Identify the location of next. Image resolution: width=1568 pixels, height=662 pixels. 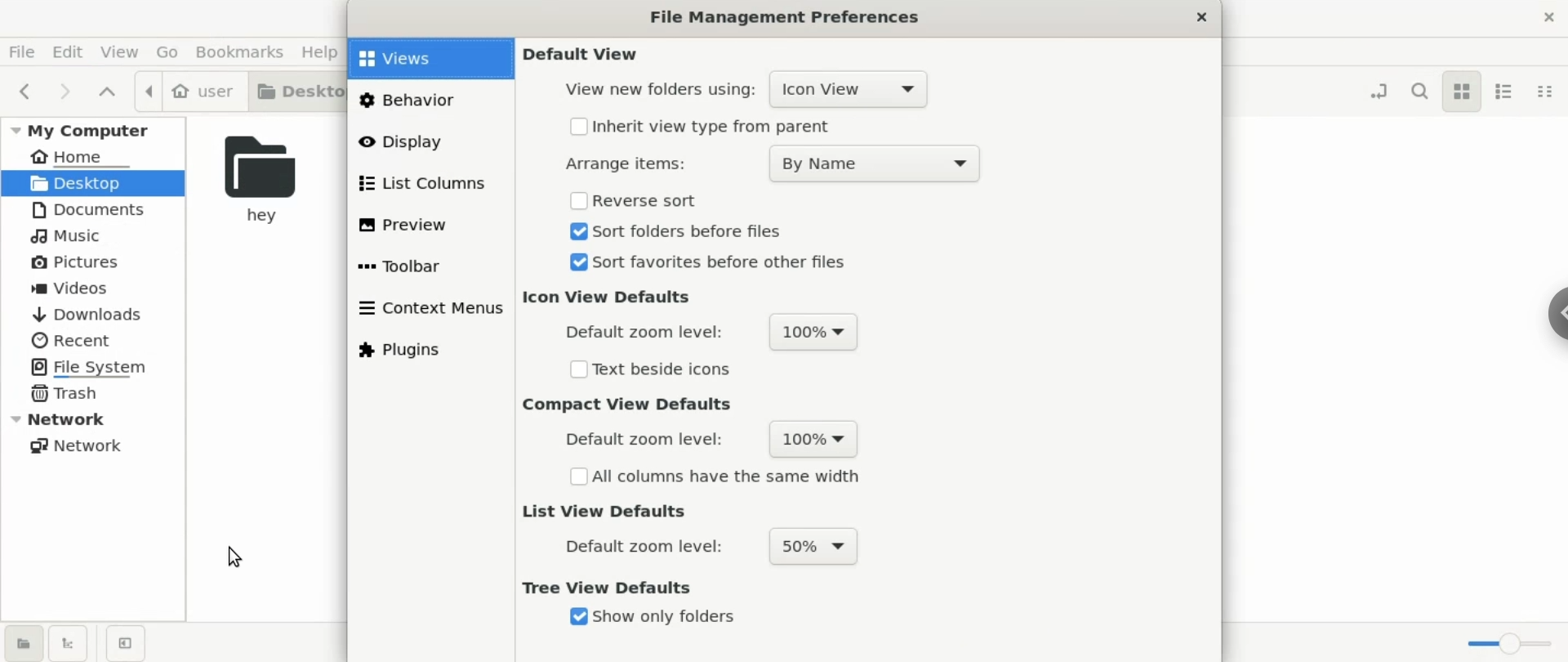
(67, 92).